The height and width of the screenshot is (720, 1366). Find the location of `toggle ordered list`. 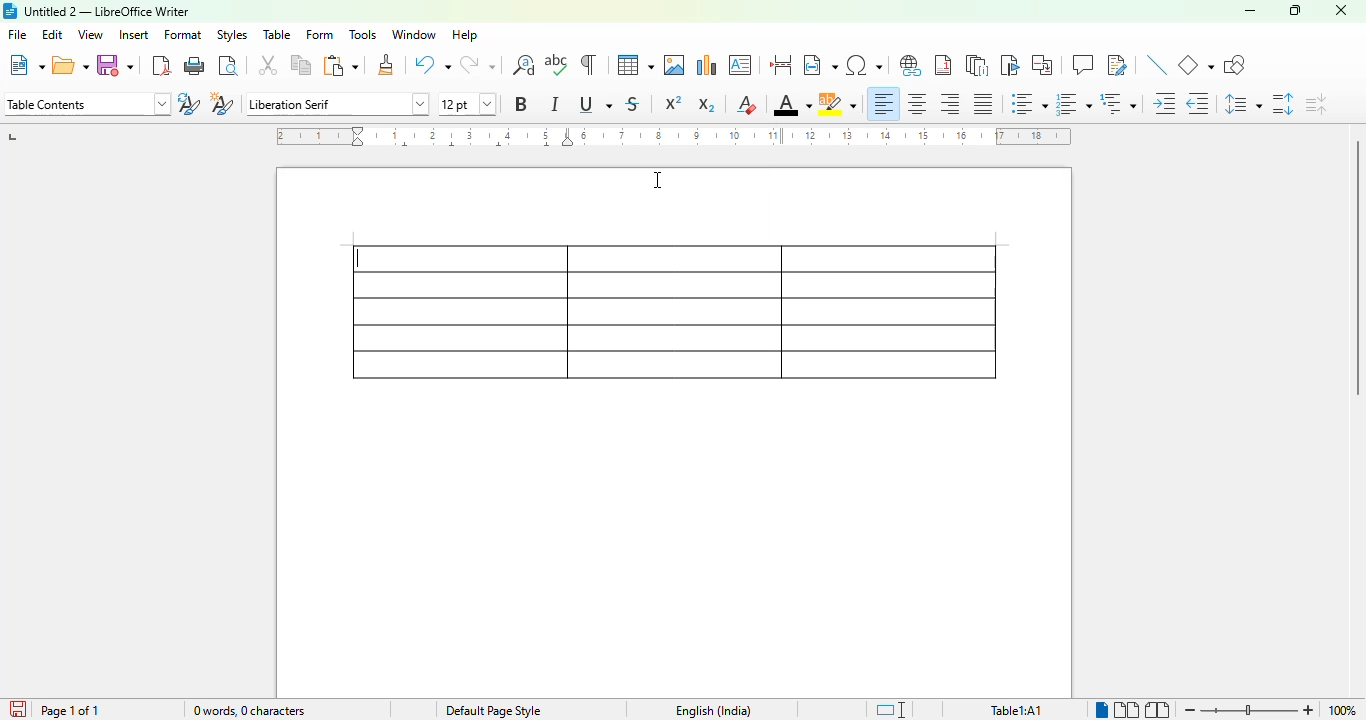

toggle ordered list is located at coordinates (1074, 104).